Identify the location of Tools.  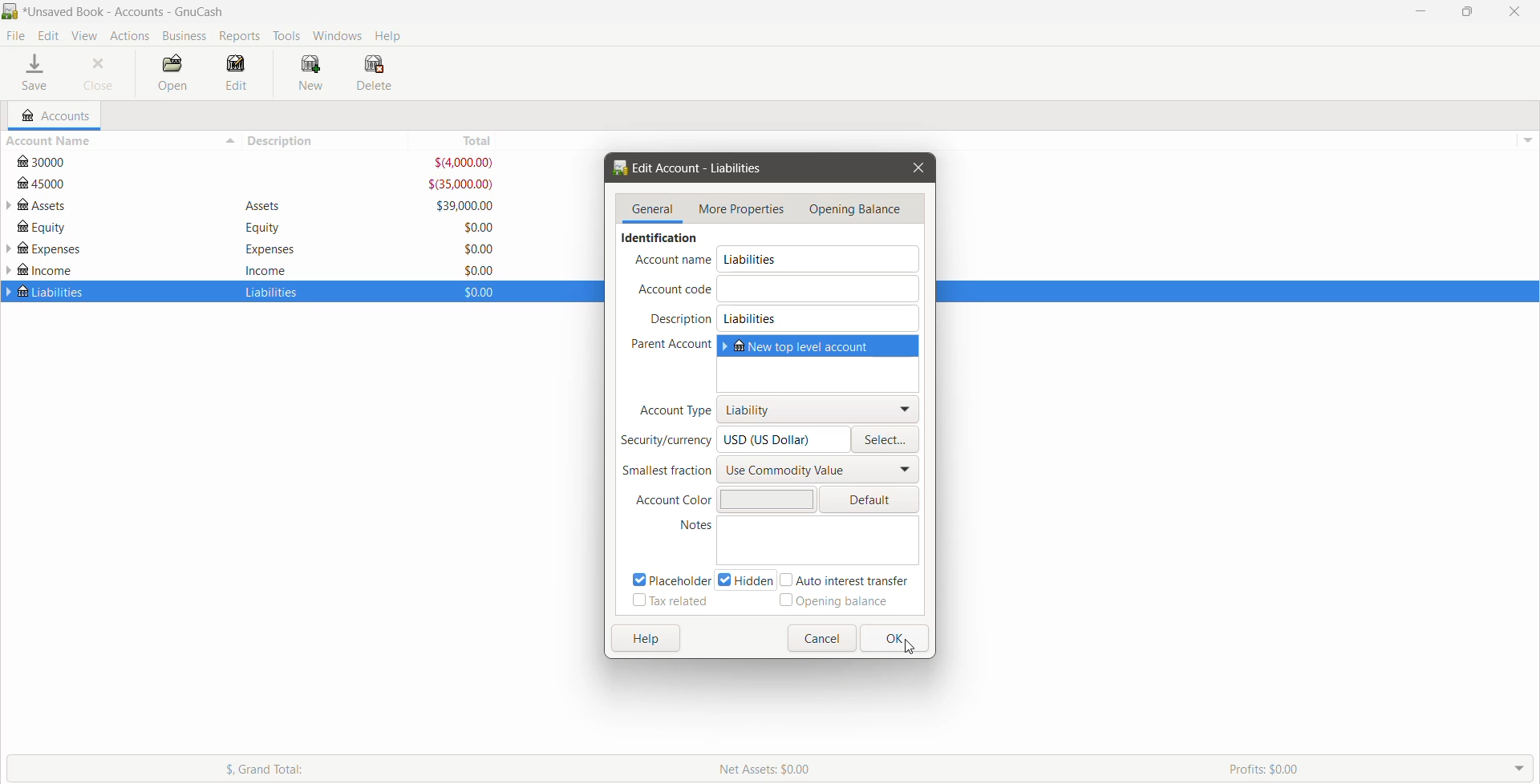
(287, 36).